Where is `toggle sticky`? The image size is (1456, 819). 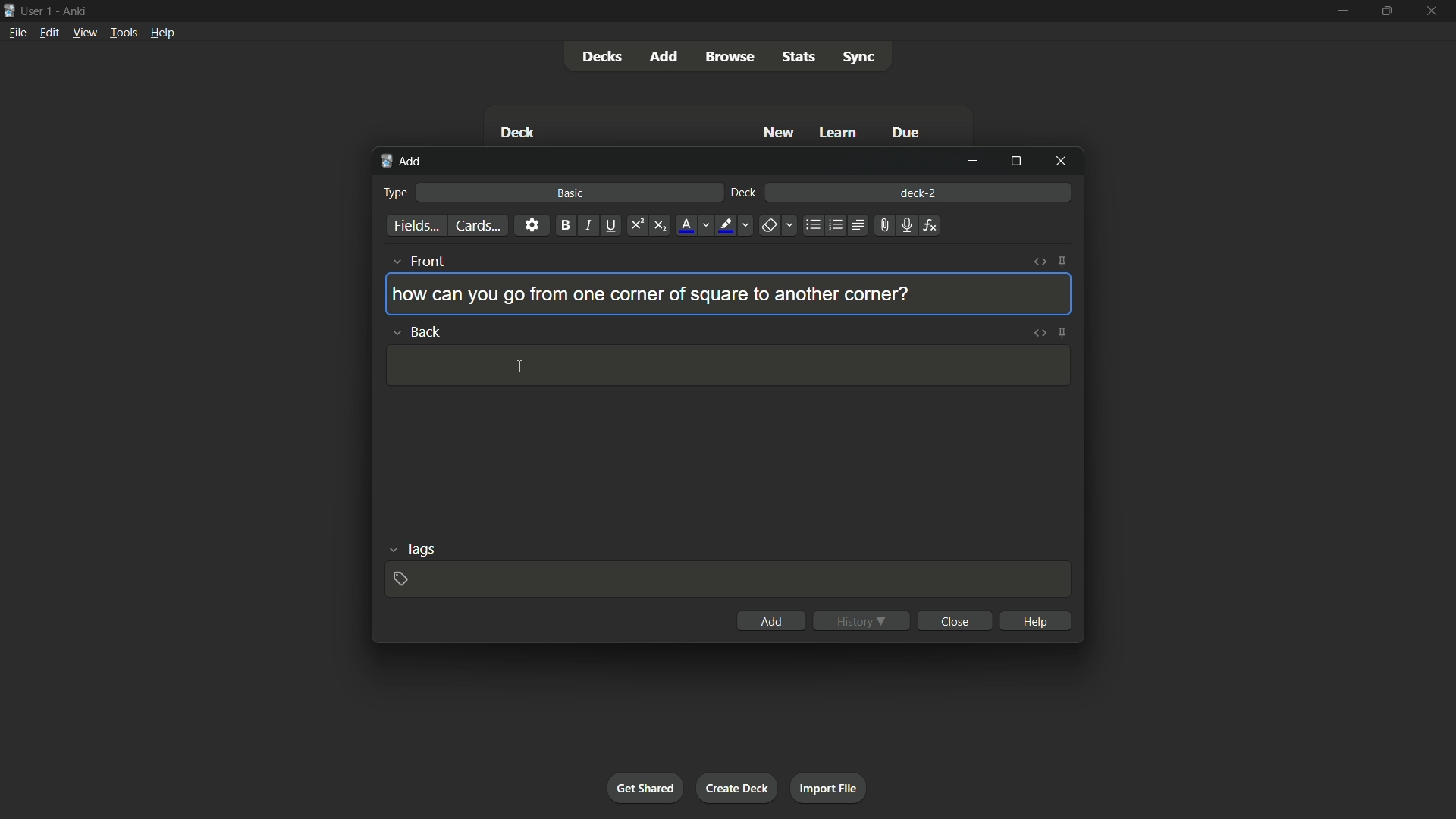
toggle sticky is located at coordinates (1064, 262).